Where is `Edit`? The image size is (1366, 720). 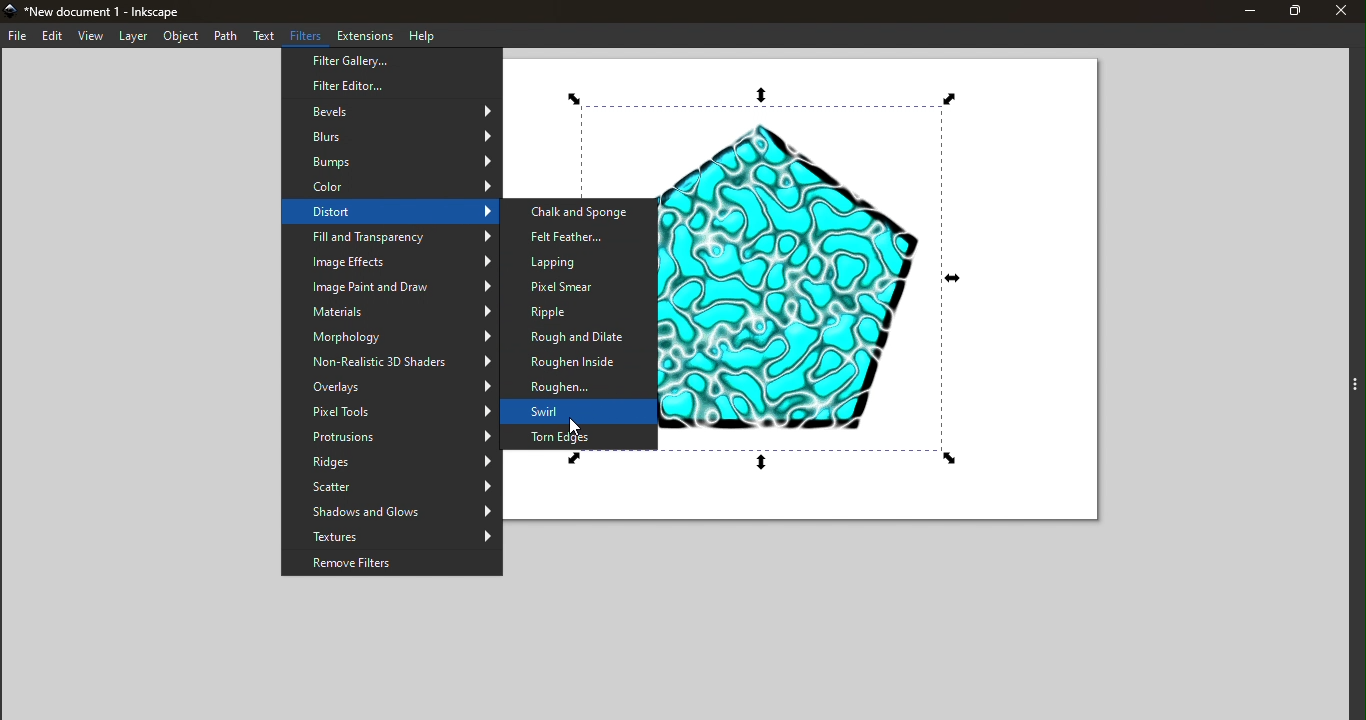
Edit is located at coordinates (53, 37).